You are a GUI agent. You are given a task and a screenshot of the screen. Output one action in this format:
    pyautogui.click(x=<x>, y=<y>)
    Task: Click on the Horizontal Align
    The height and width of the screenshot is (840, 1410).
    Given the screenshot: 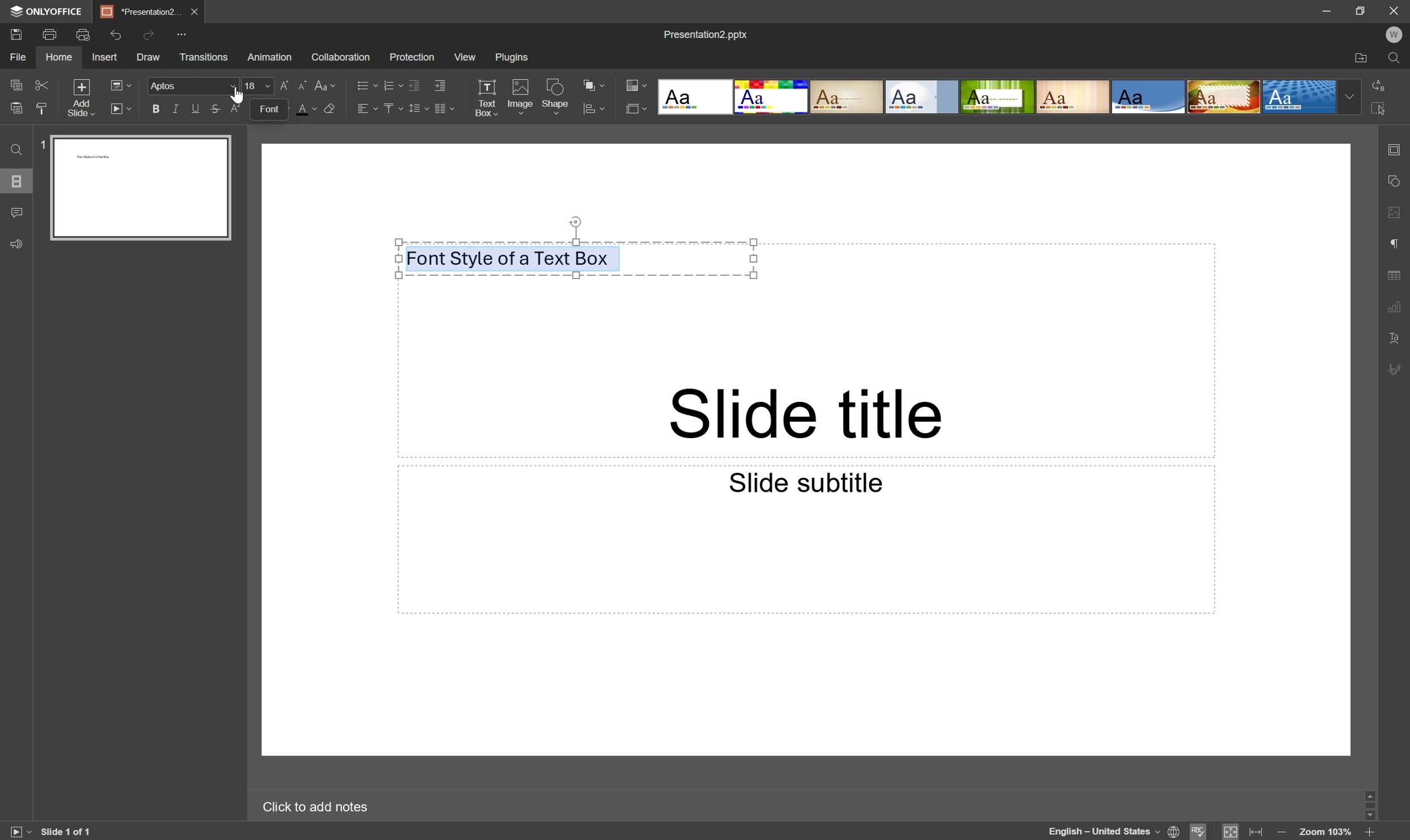 What is the action you would take?
    pyautogui.click(x=368, y=108)
    